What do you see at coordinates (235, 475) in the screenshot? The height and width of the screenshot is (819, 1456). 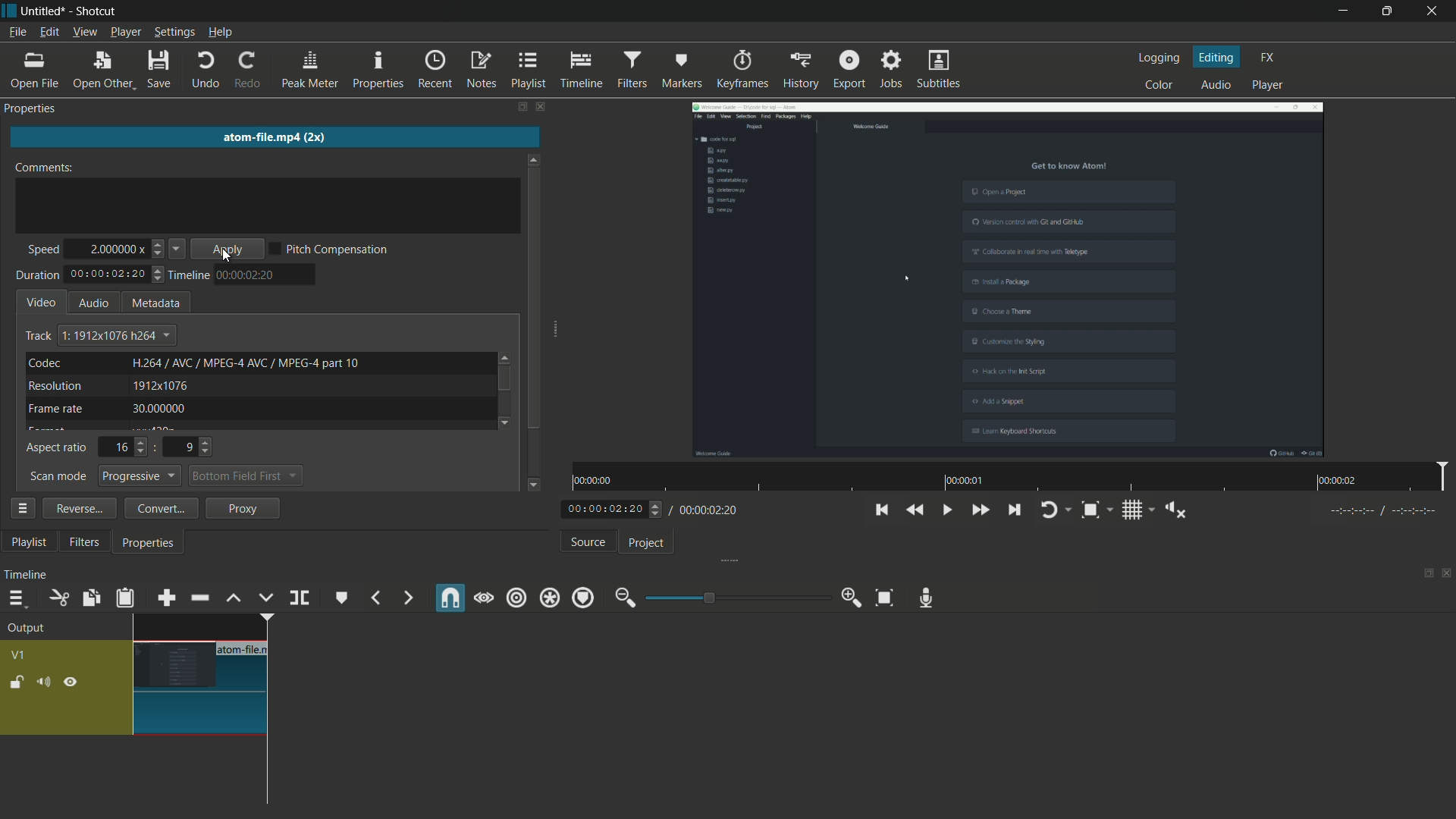 I see `bottom field first` at bounding box center [235, 475].